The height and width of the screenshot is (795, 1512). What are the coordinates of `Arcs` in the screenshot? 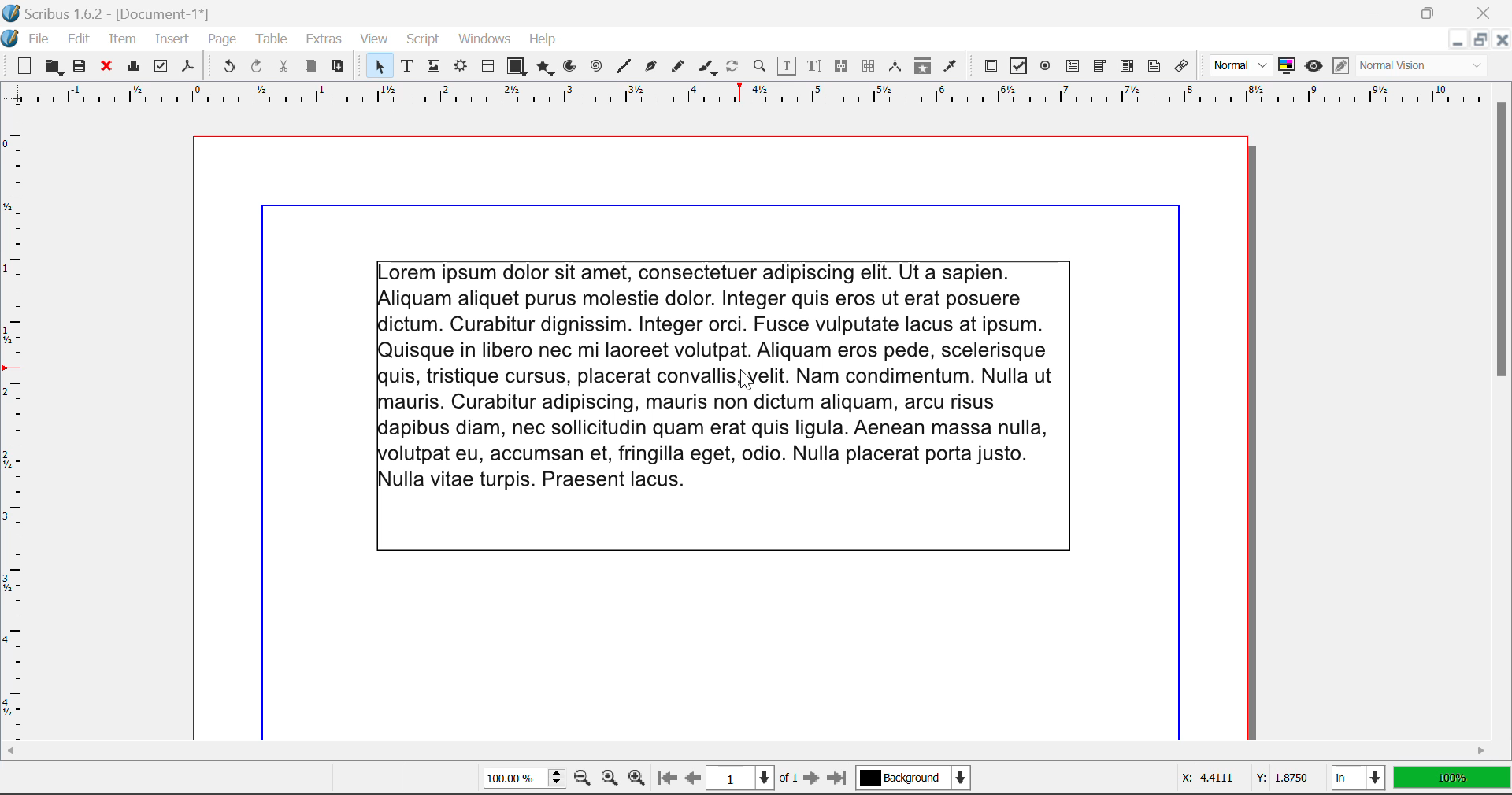 It's located at (572, 70).